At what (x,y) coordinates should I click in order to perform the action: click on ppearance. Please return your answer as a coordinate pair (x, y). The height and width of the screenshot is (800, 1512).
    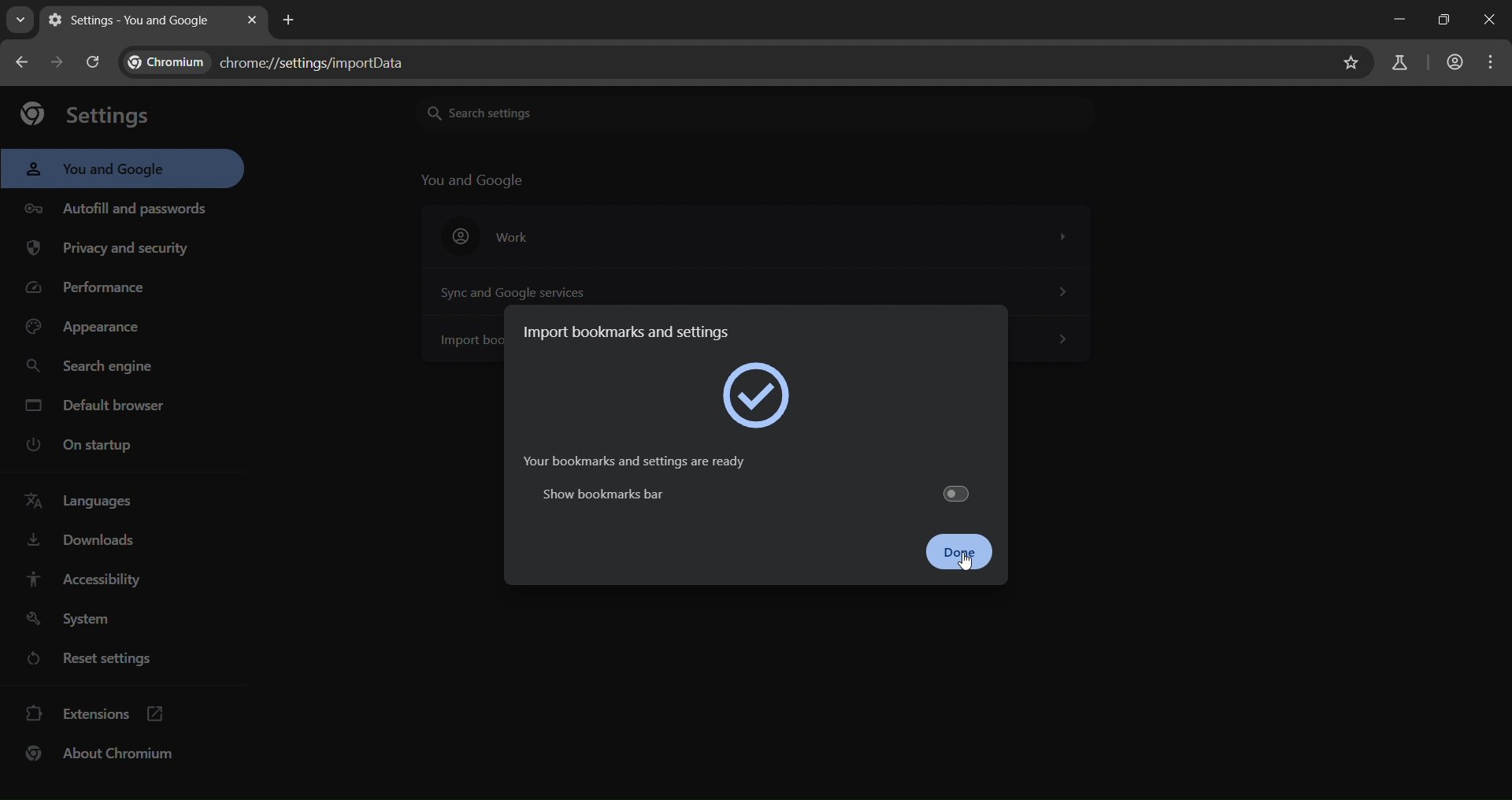
    Looking at the image, I should click on (85, 331).